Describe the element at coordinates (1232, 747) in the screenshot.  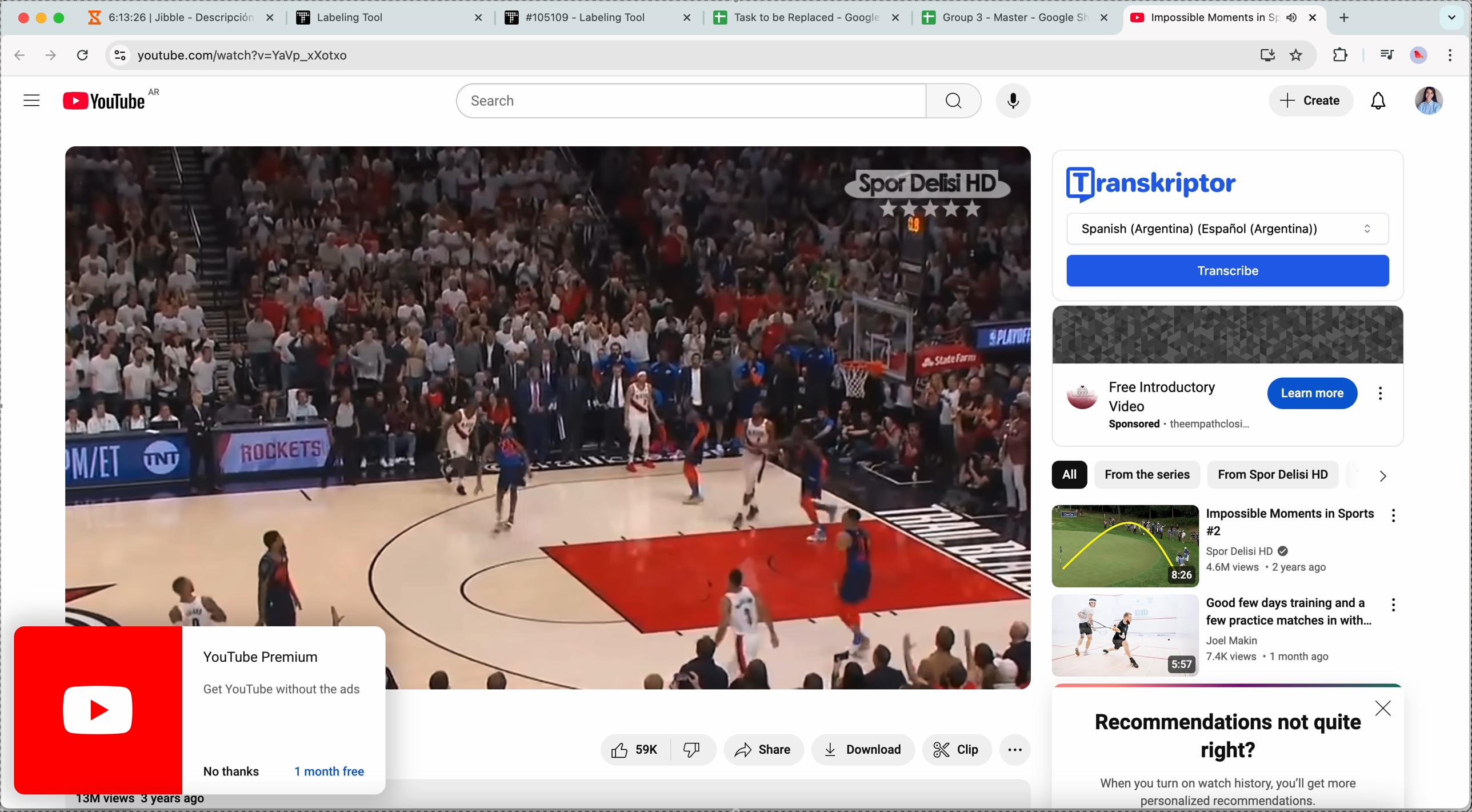
I see `notification` at that location.